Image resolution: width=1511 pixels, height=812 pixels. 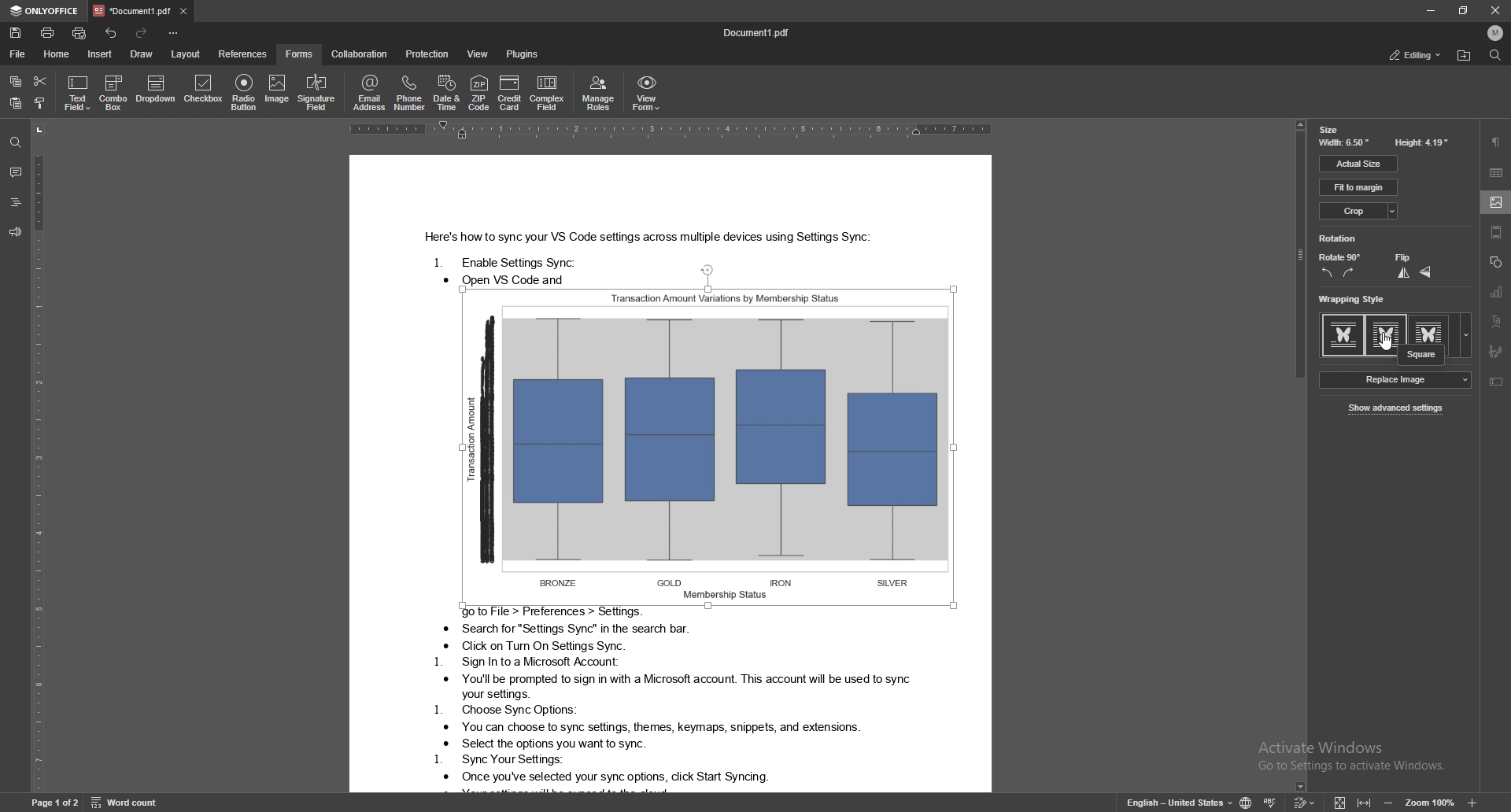 What do you see at coordinates (369, 92) in the screenshot?
I see `email address` at bounding box center [369, 92].